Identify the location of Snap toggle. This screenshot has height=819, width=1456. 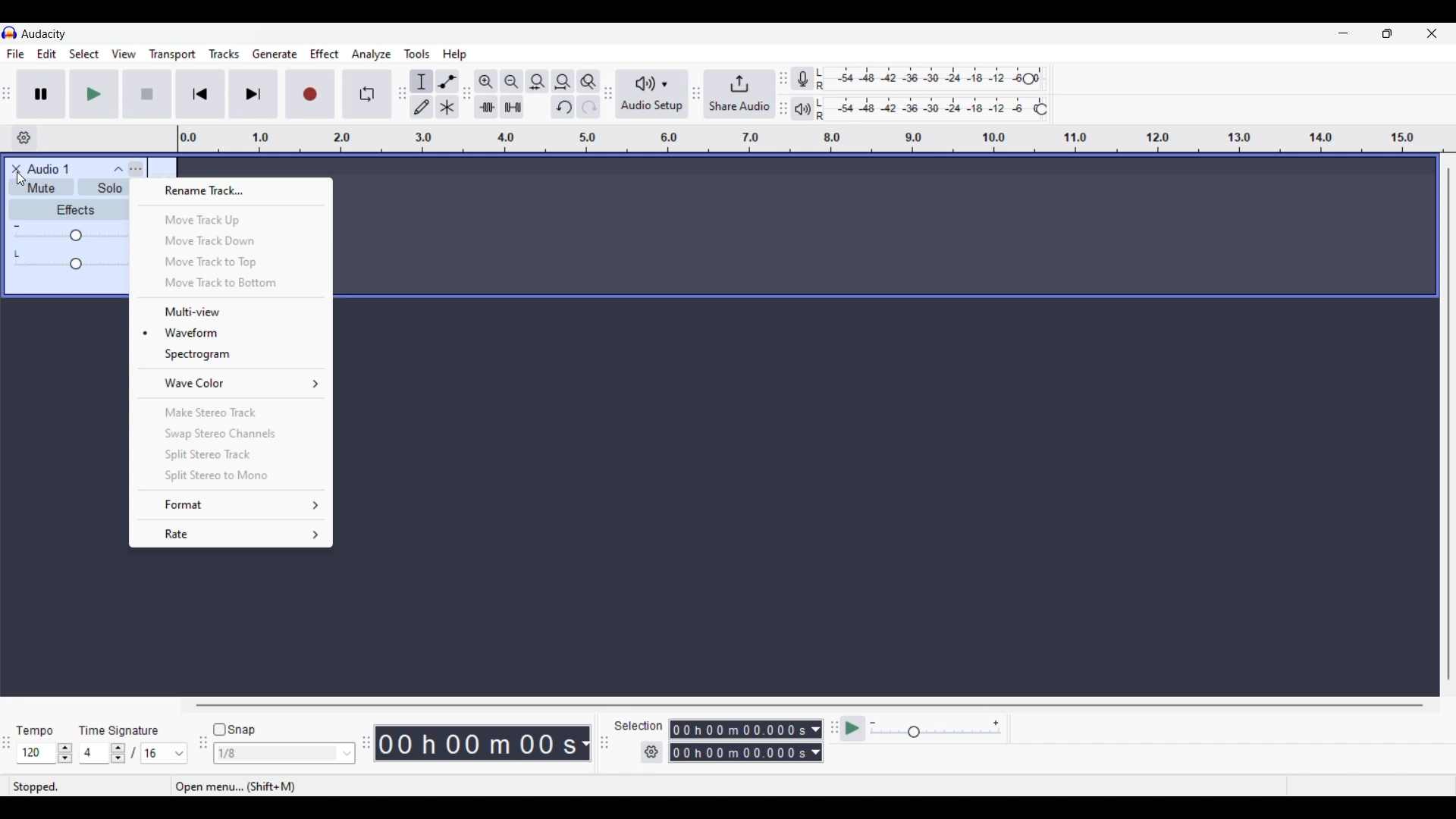
(235, 730).